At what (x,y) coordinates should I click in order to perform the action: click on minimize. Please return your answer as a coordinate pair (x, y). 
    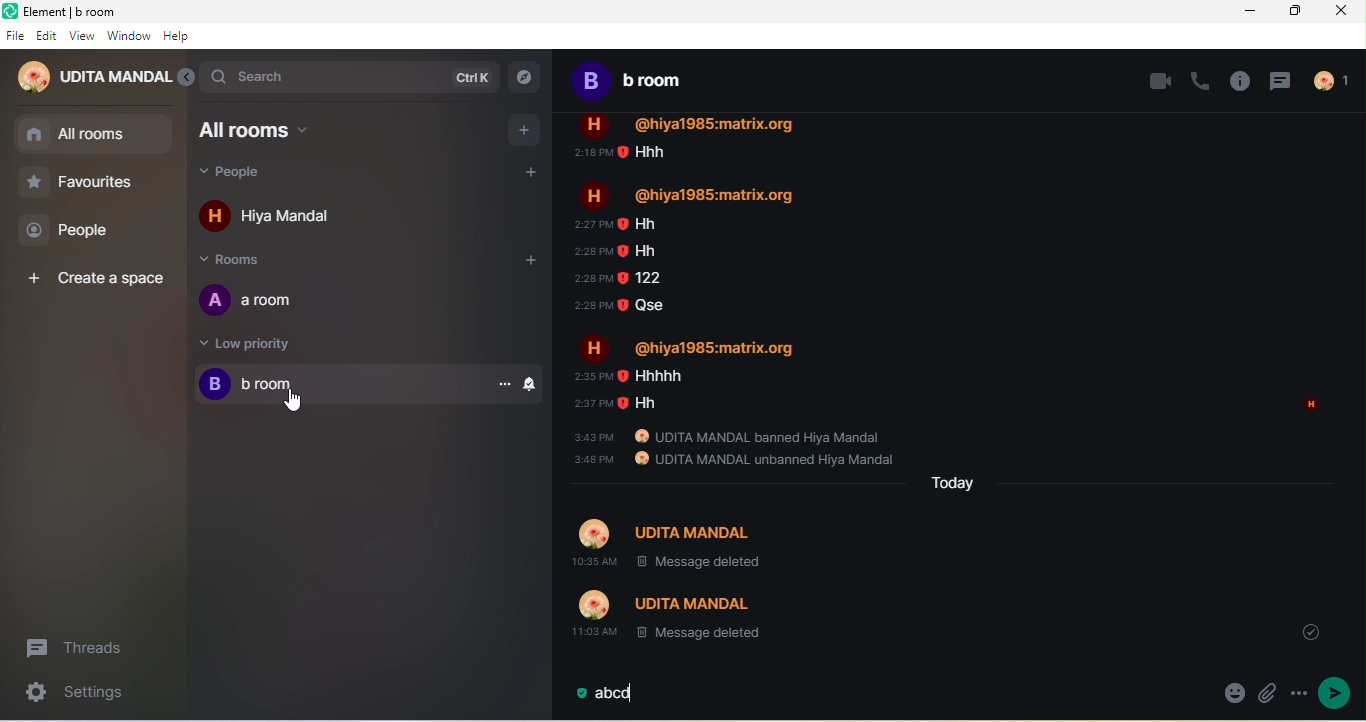
    Looking at the image, I should click on (1250, 11).